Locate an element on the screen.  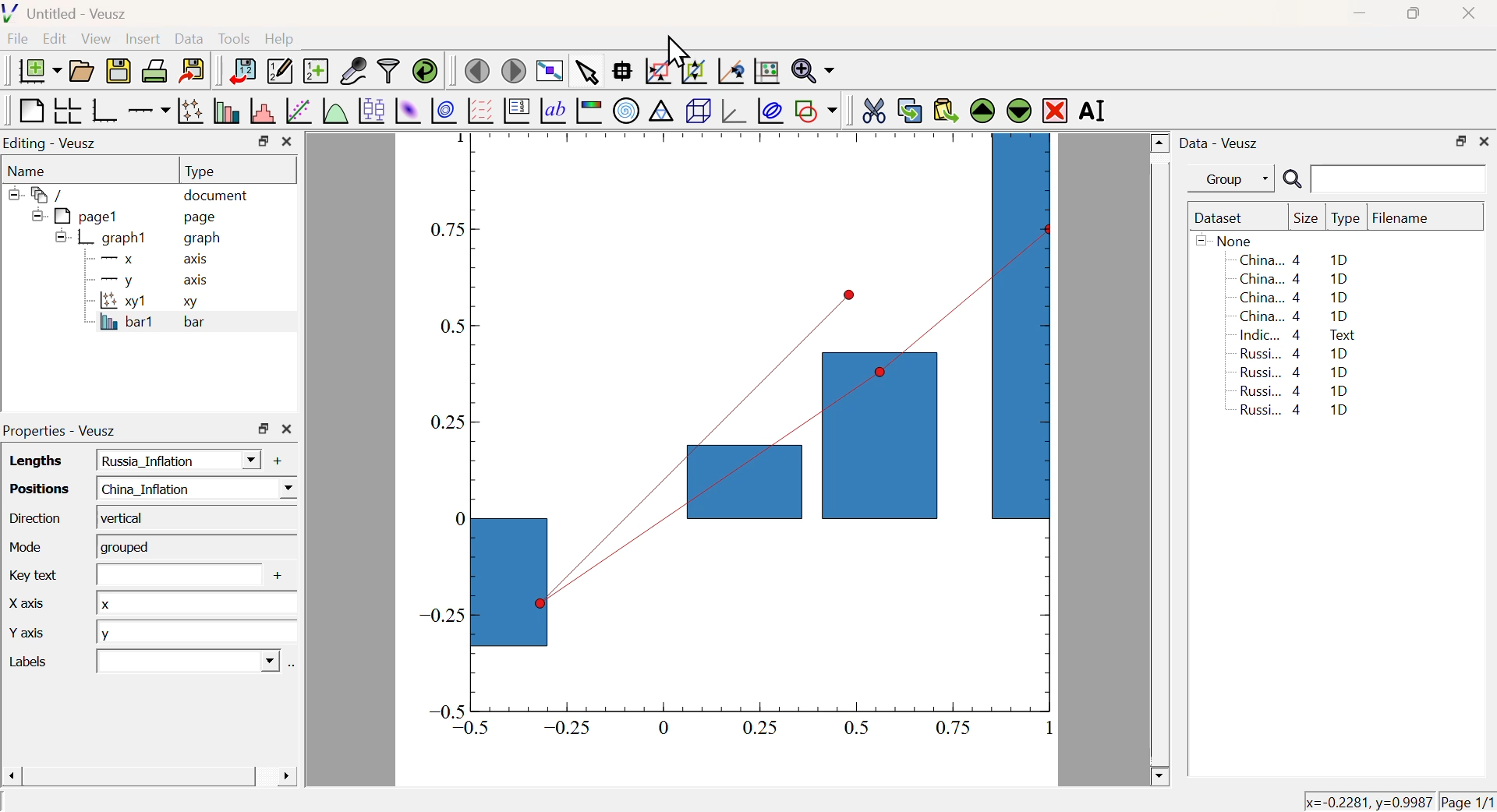
Scroll is located at coordinates (1160, 461).